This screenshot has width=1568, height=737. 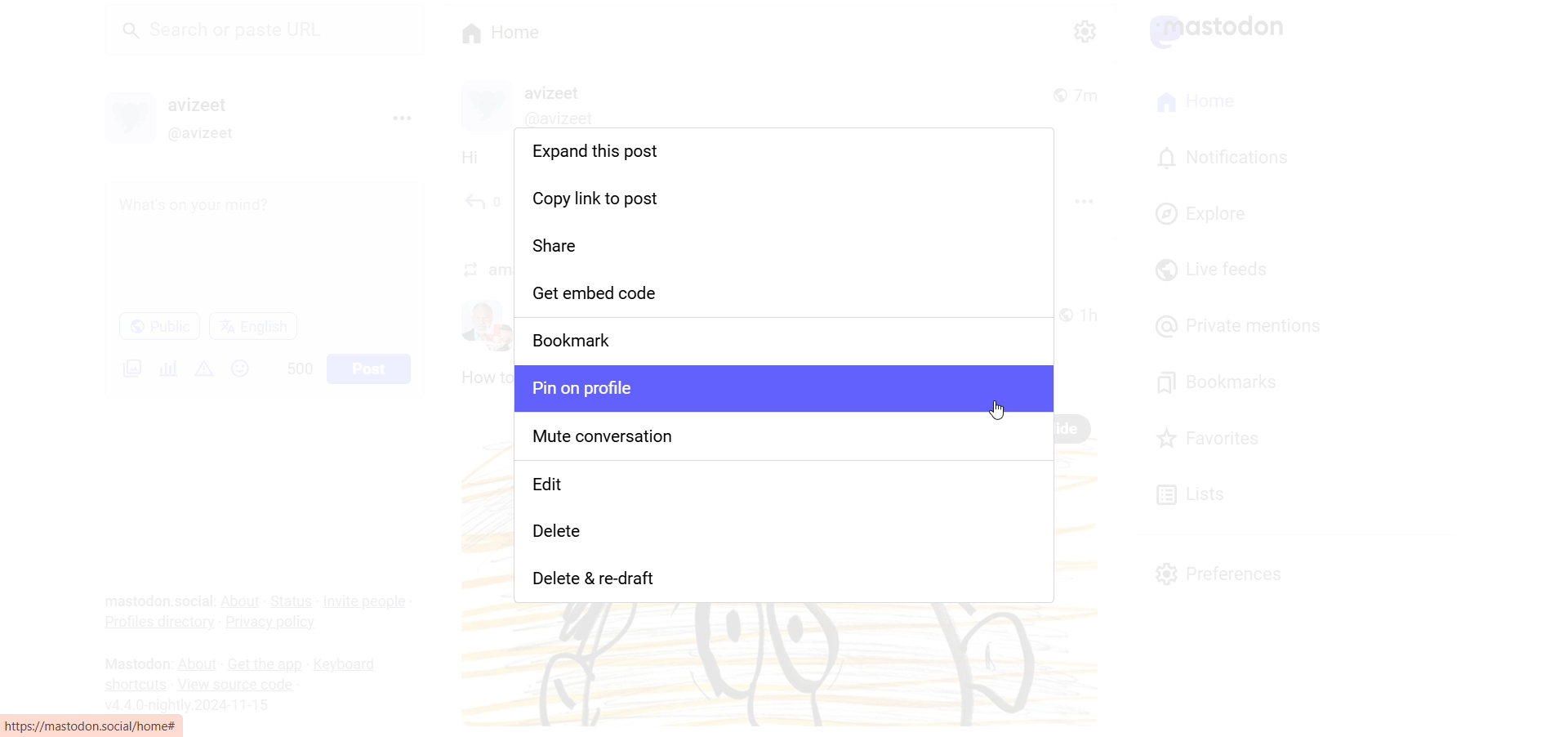 I want to click on What's on your mind, so click(x=263, y=246).